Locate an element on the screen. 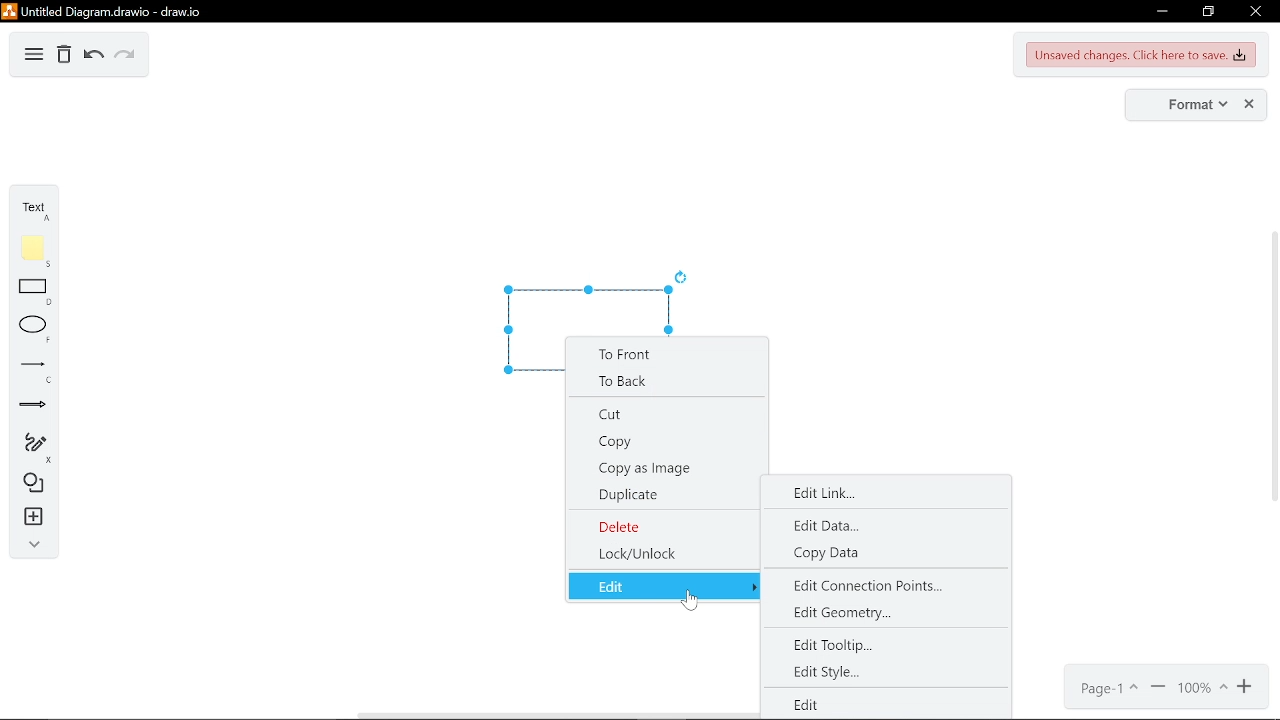 The width and height of the screenshot is (1280, 720). untitled diagram.drawio - draw.io is located at coordinates (119, 9).